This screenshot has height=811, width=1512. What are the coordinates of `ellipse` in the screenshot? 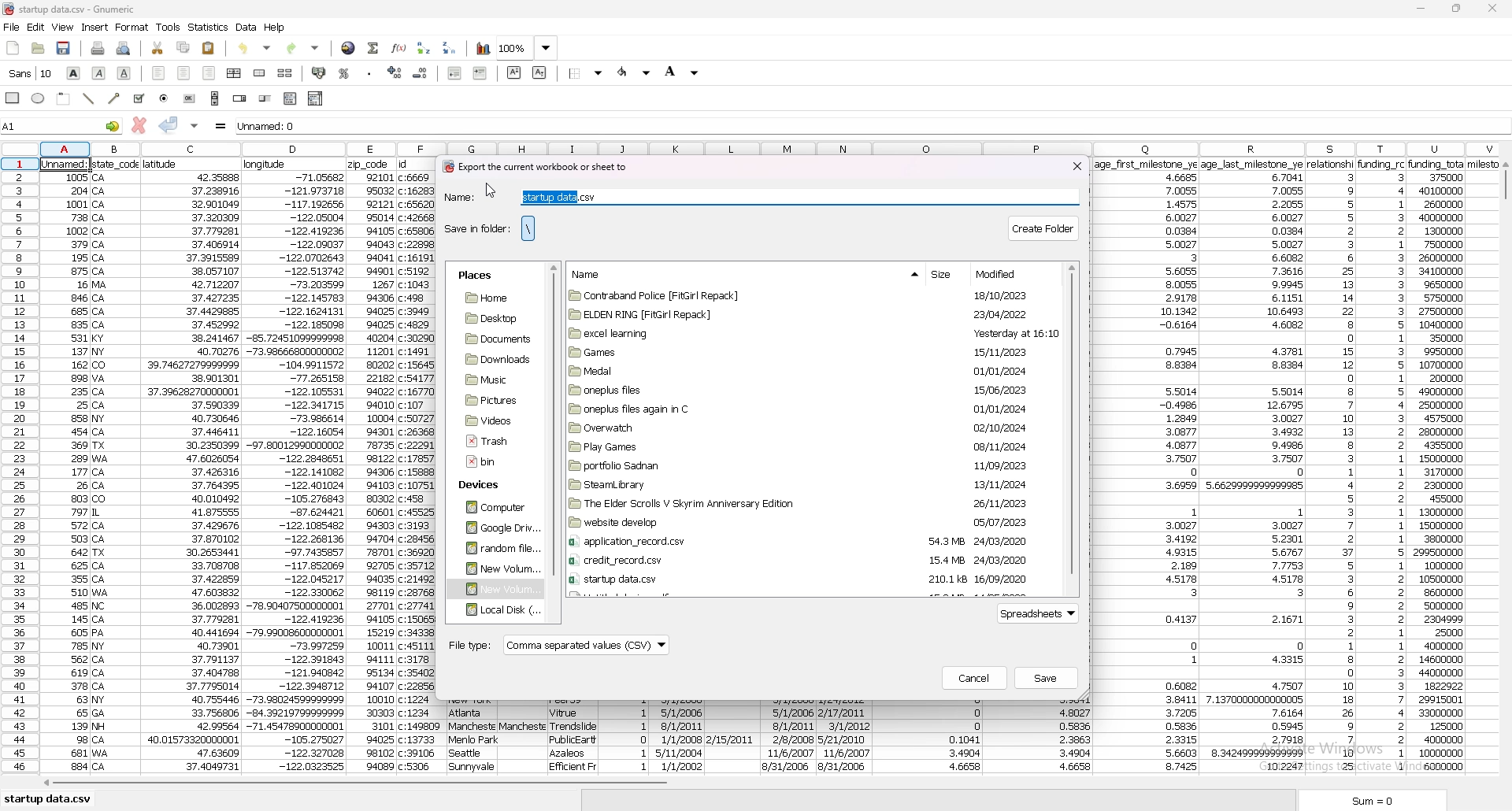 It's located at (39, 99).